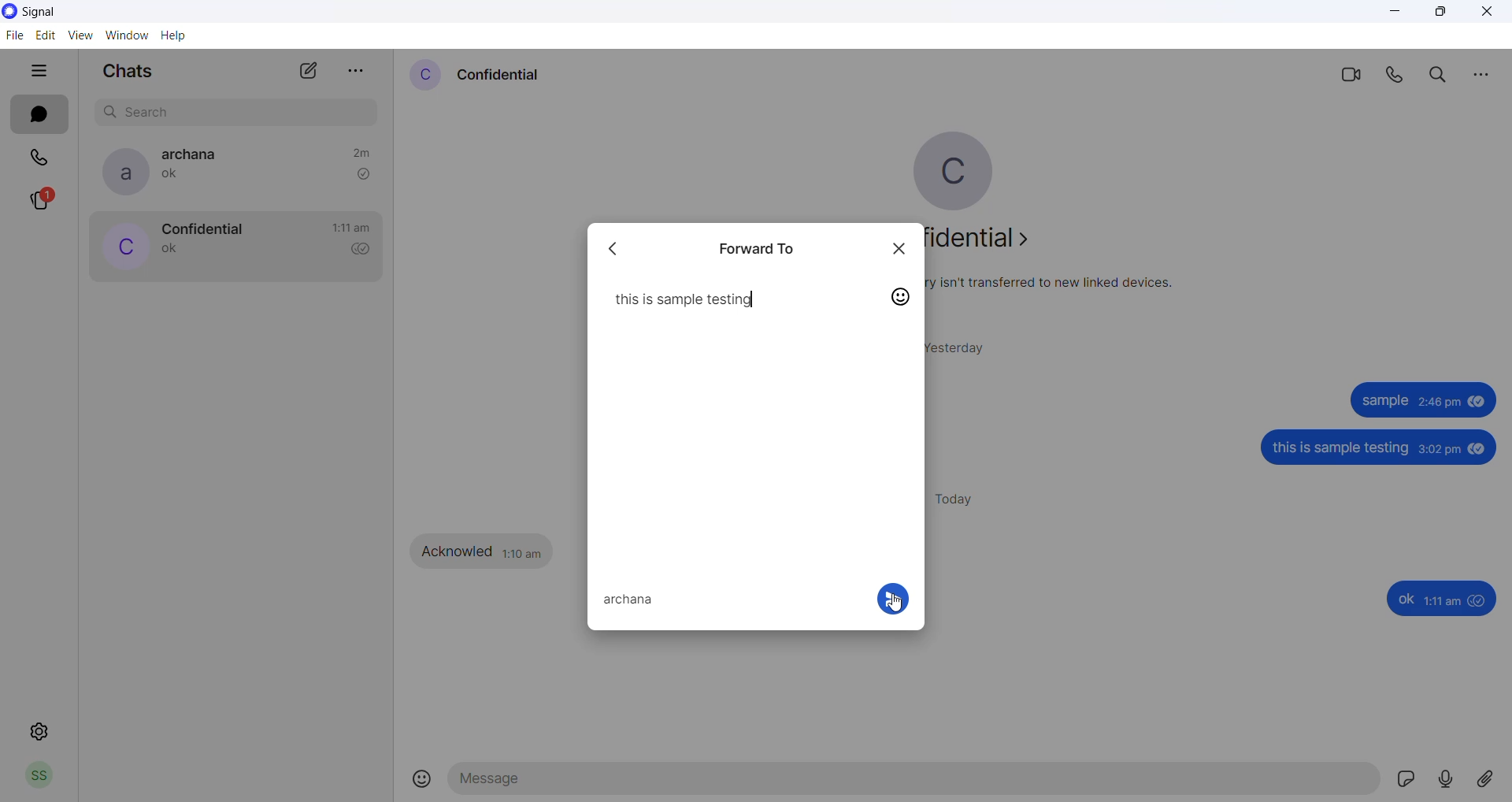 The height and width of the screenshot is (802, 1512). What do you see at coordinates (1487, 13) in the screenshot?
I see `close` at bounding box center [1487, 13].